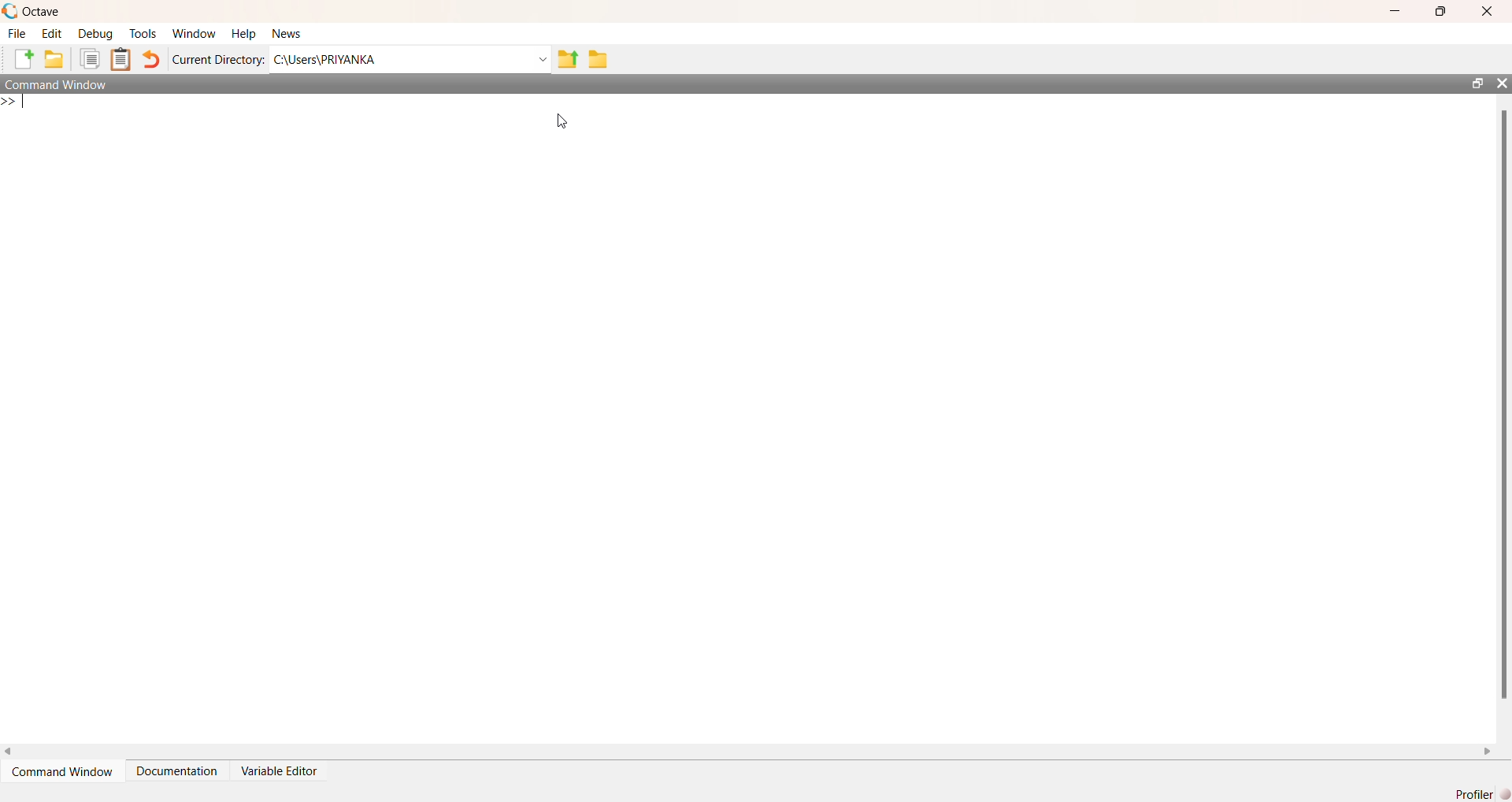  I want to click on variable editor, so click(291, 772).